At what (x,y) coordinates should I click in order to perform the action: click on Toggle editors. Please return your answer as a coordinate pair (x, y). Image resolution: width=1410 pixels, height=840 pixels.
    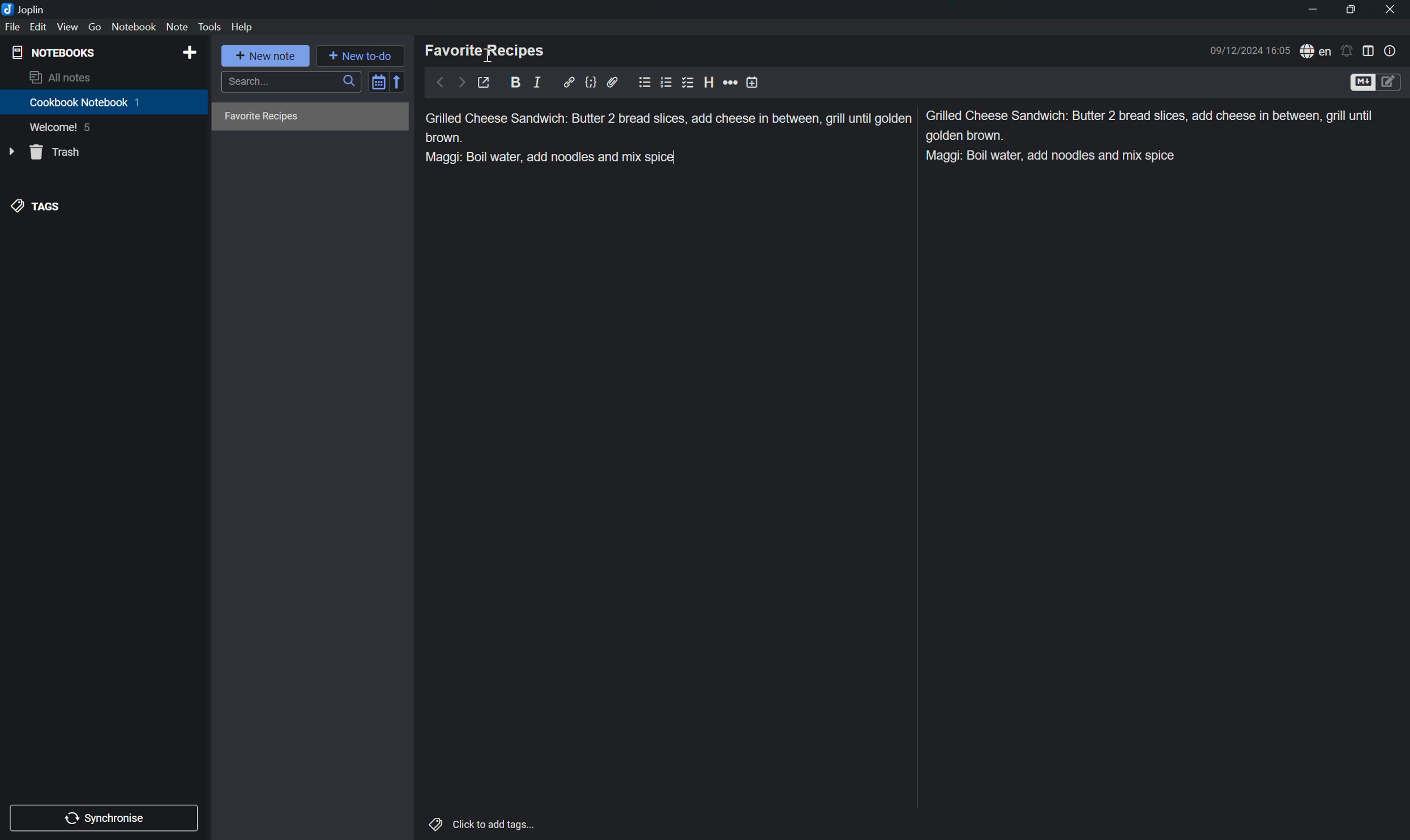
    Looking at the image, I should click on (1377, 82).